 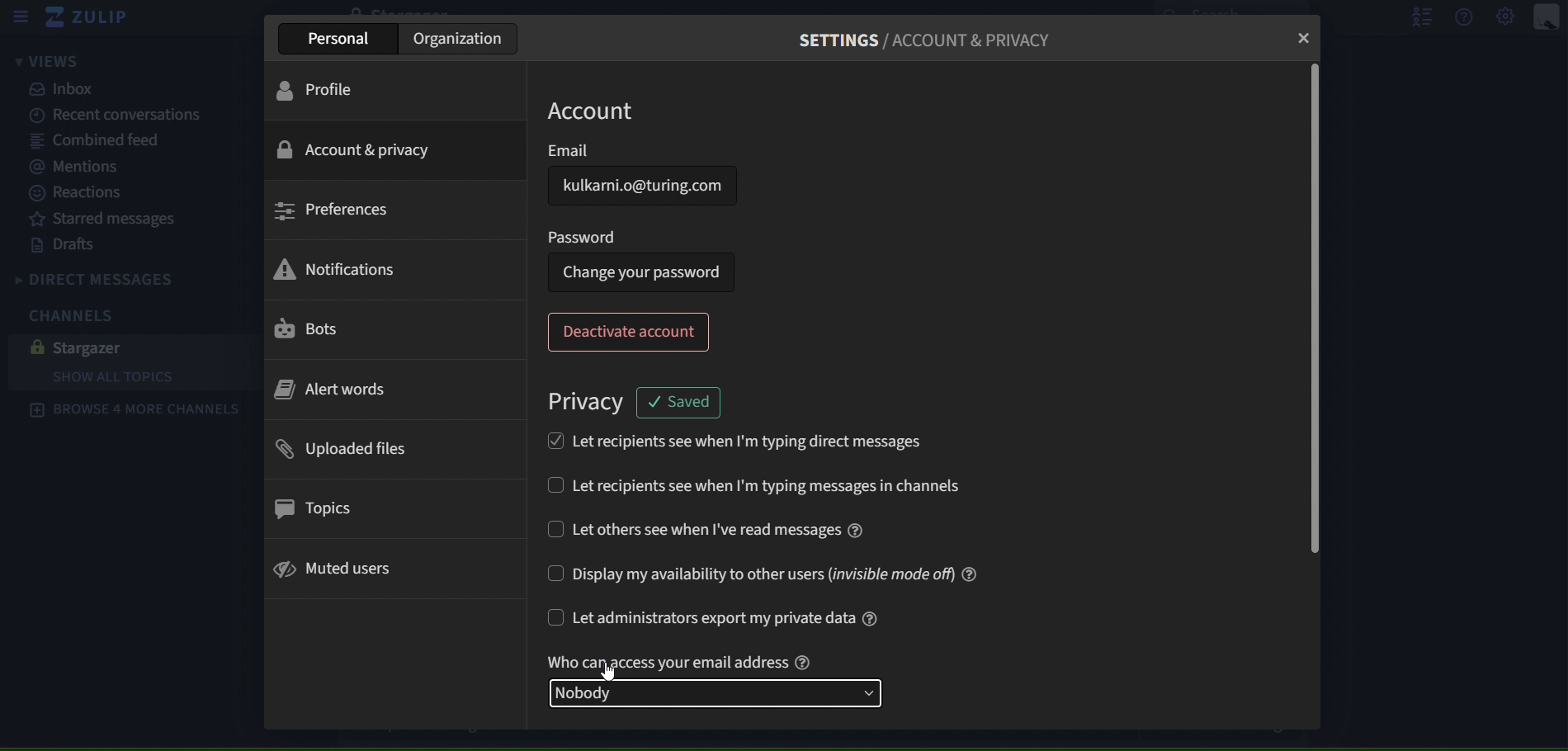 I want to click on deactivate account, so click(x=631, y=332).